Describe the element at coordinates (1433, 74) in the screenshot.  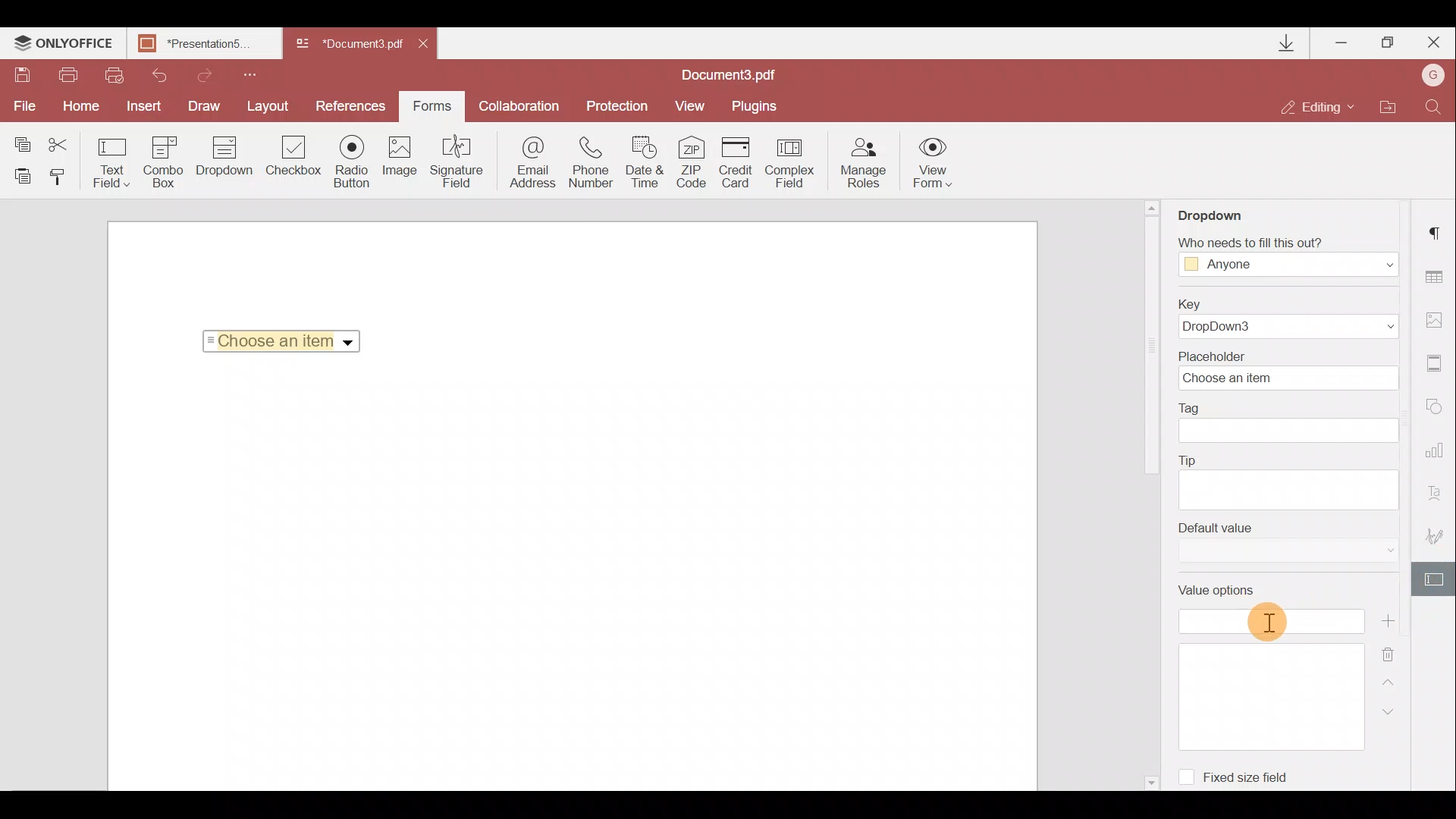
I see `Account name` at that location.